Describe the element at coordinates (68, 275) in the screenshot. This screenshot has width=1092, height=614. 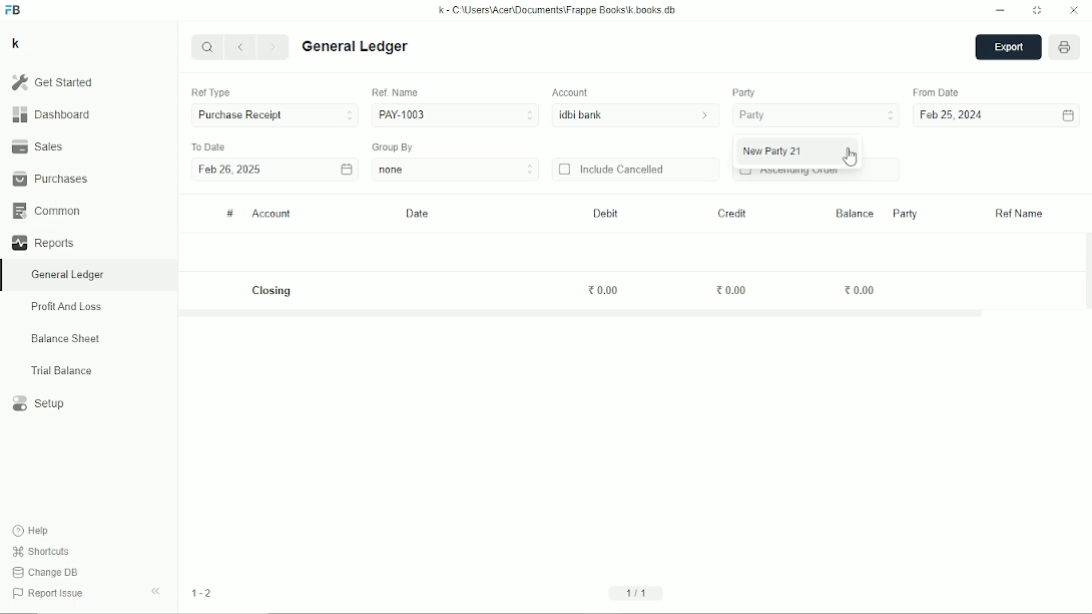
I see `General ledger` at that location.